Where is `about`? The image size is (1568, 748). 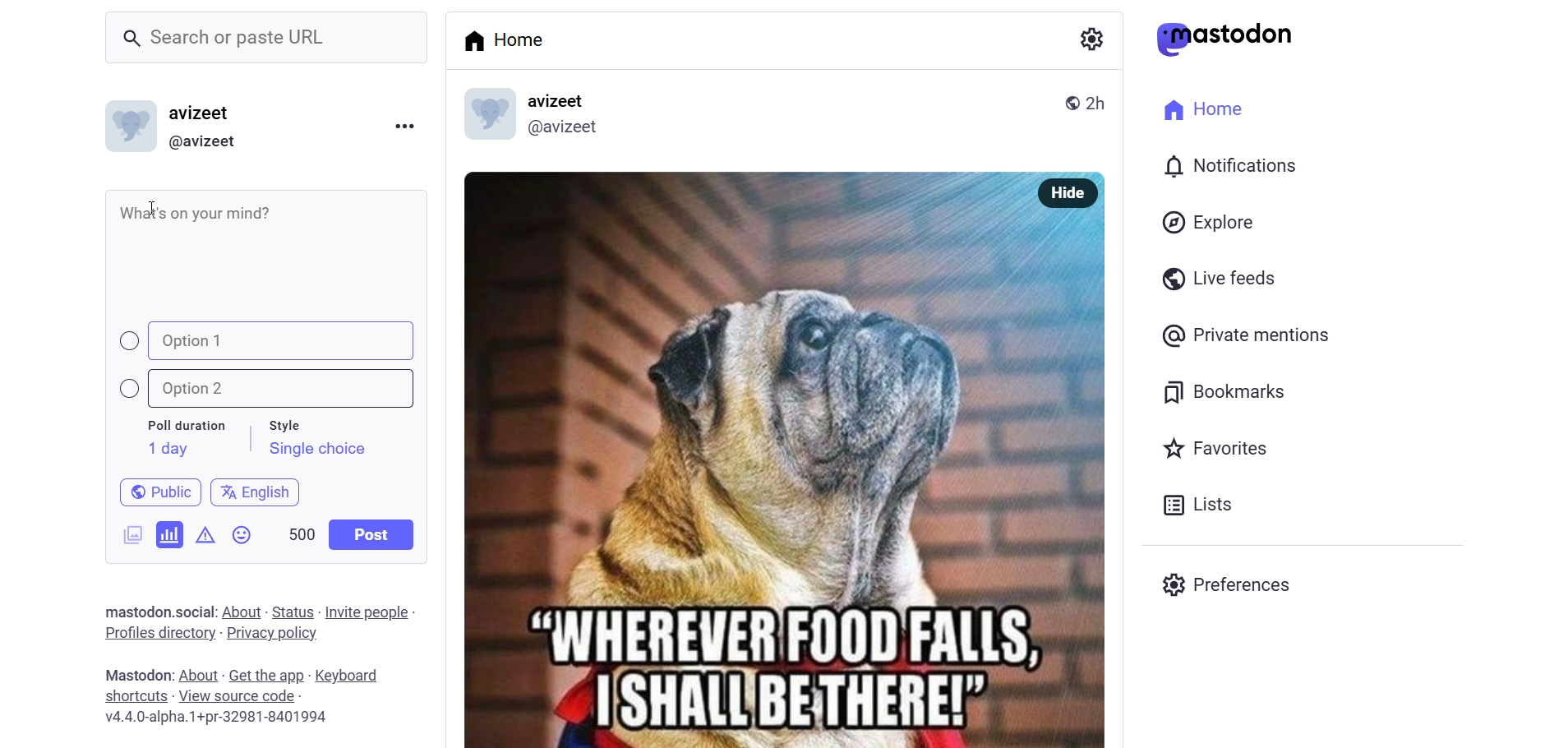 about is located at coordinates (196, 676).